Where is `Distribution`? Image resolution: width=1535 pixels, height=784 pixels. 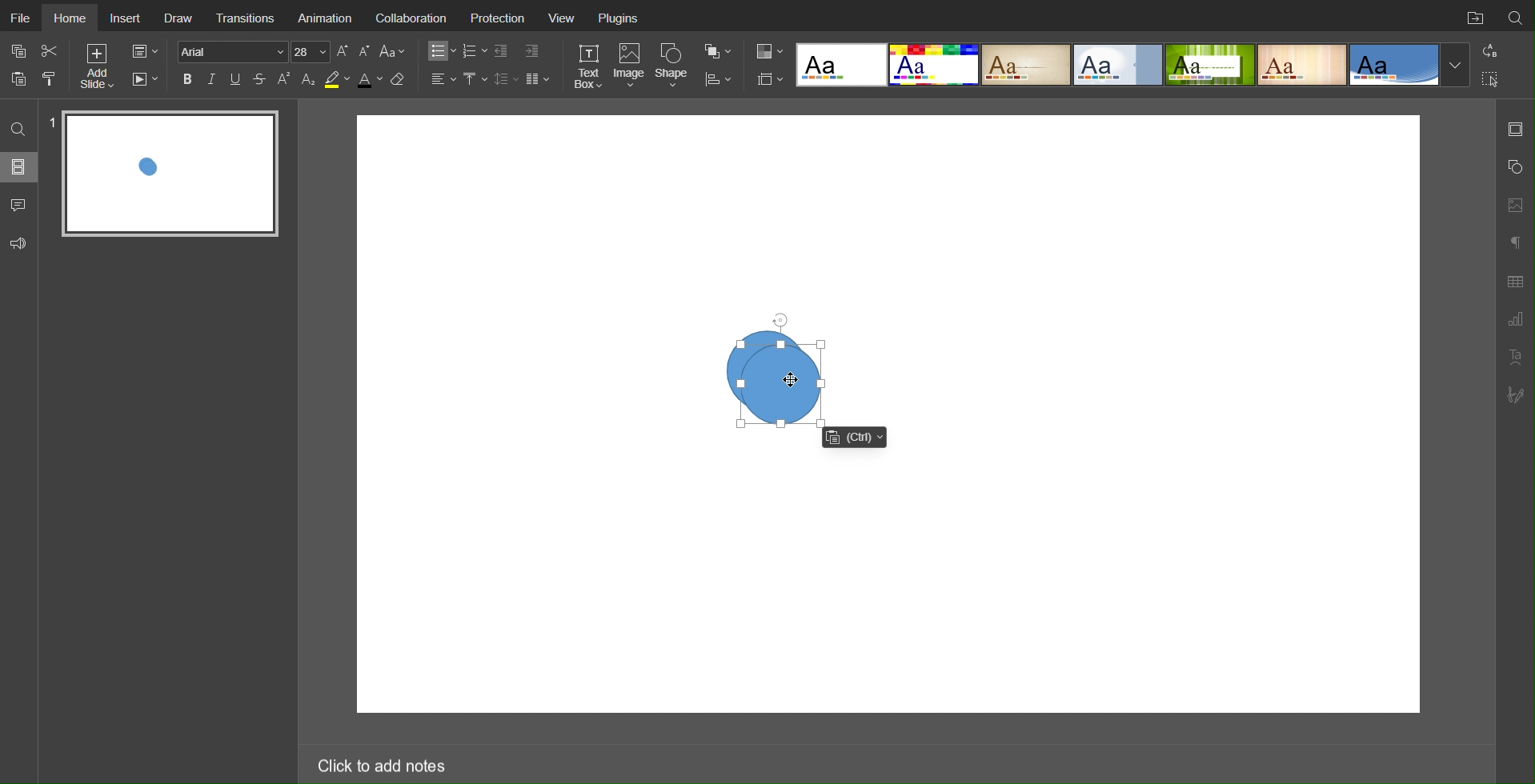 Distribution is located at coordinates (718, 78).